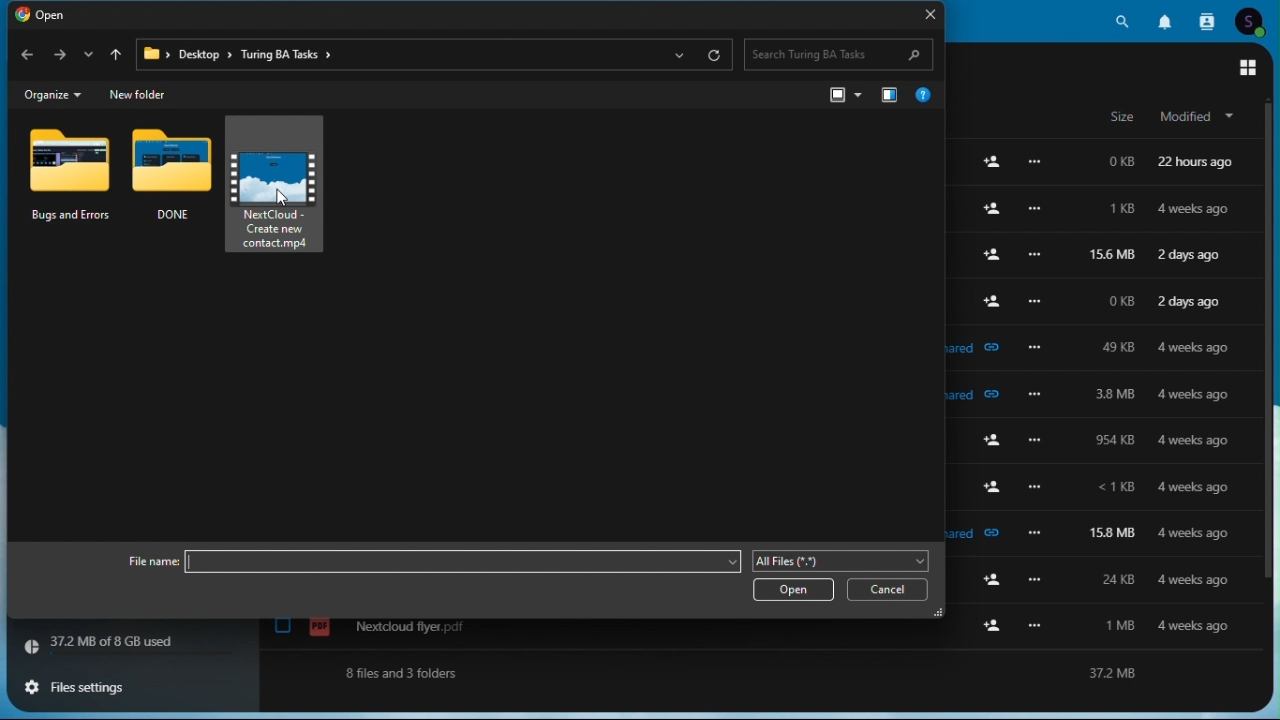 This screenshot has height=720, width=1280. I want to click on scroll bar, so click(1266, 345).